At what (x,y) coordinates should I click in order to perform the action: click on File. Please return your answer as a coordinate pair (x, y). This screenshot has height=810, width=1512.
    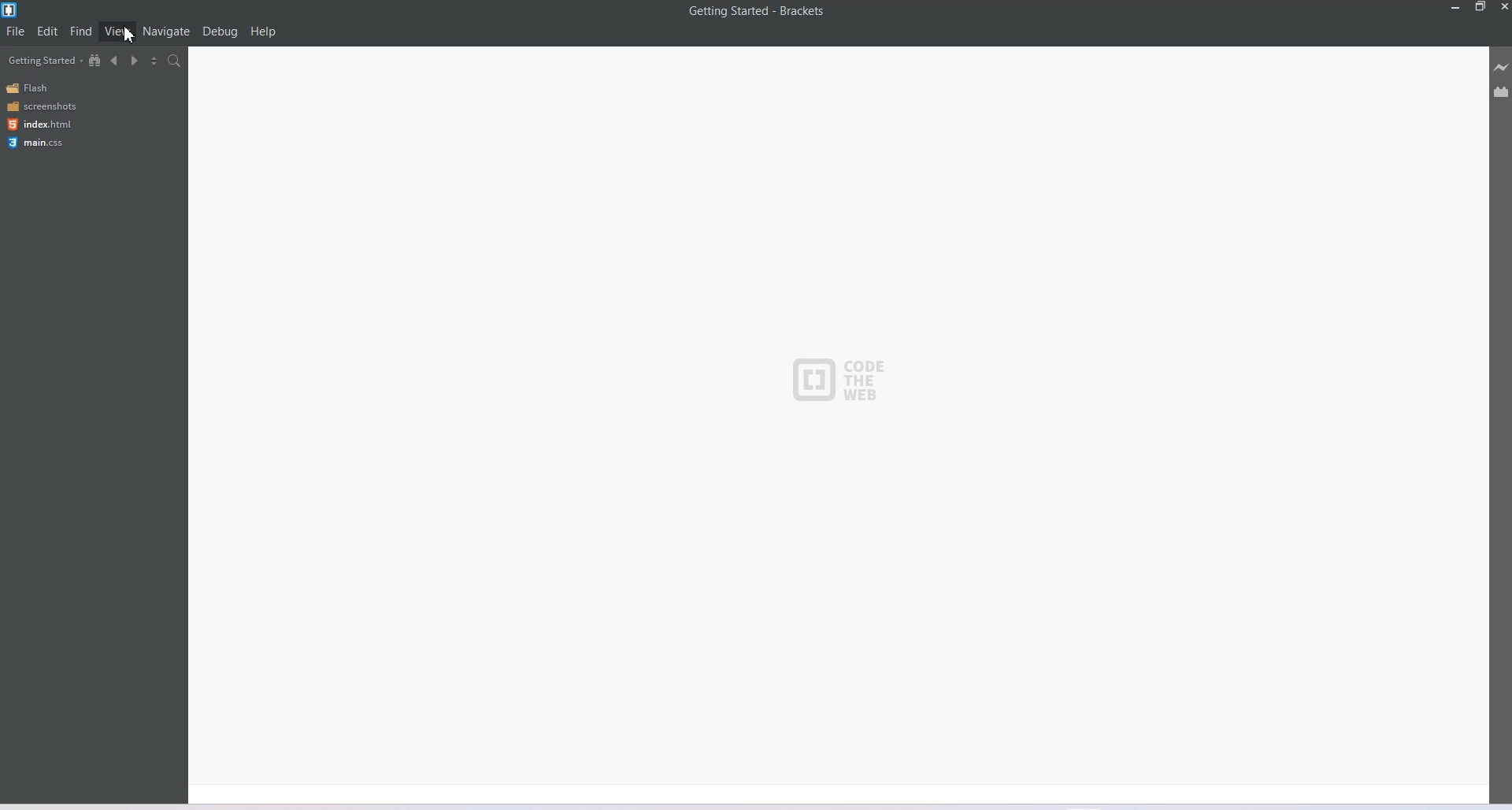
    Looking at the image, I should click on (15, 31).